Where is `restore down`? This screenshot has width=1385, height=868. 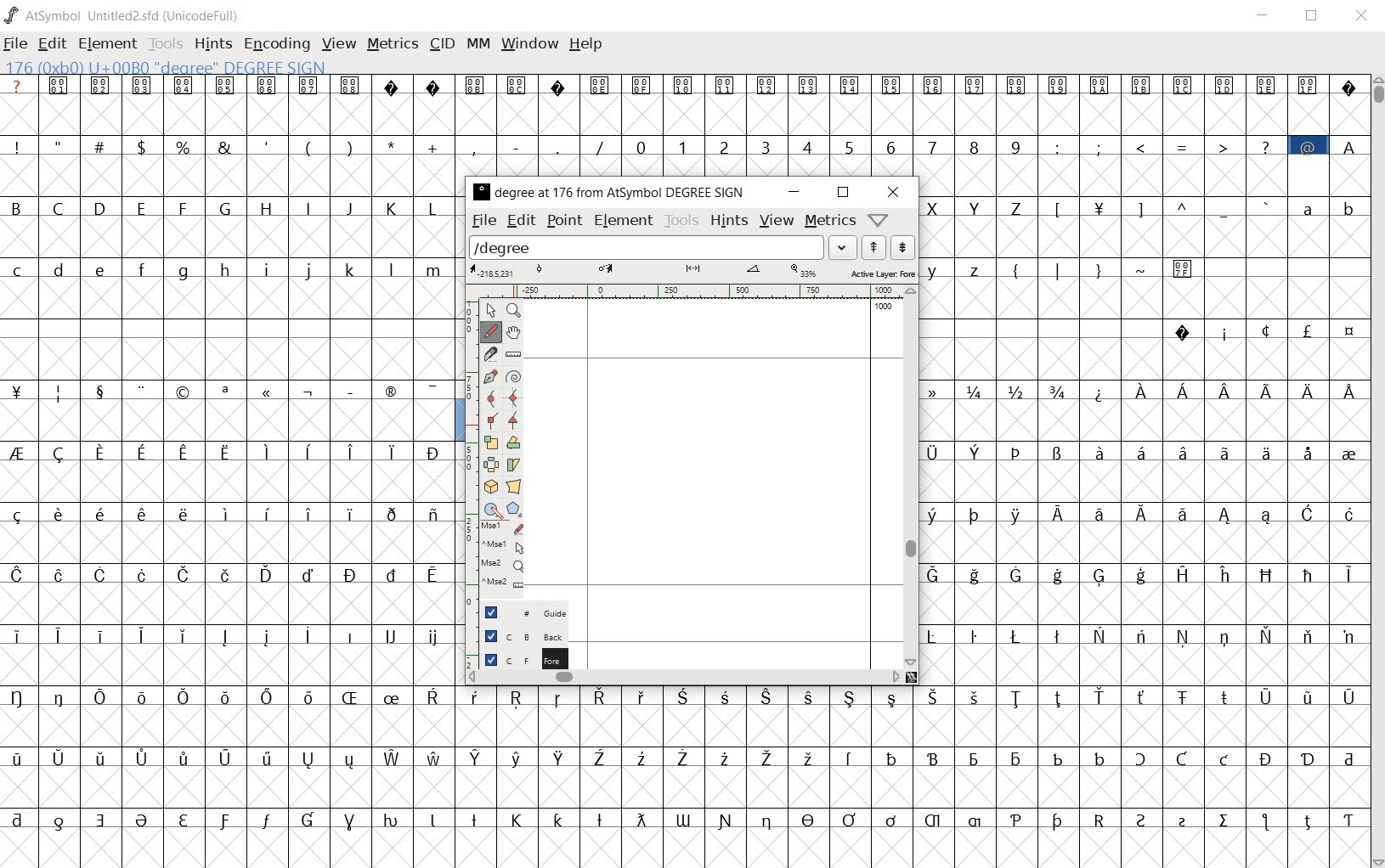 restore down is located at coordinates (1314, 16).